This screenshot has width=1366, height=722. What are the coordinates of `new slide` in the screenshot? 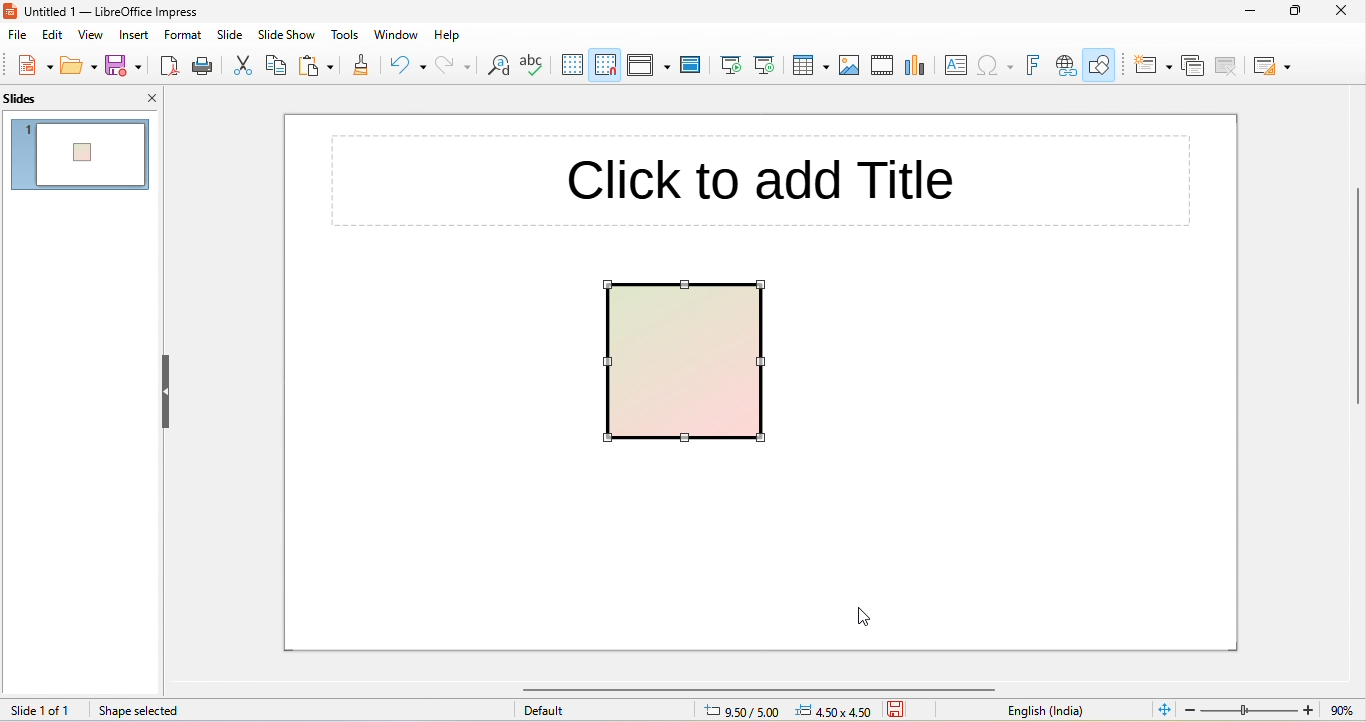 It's located at (1152, 65).